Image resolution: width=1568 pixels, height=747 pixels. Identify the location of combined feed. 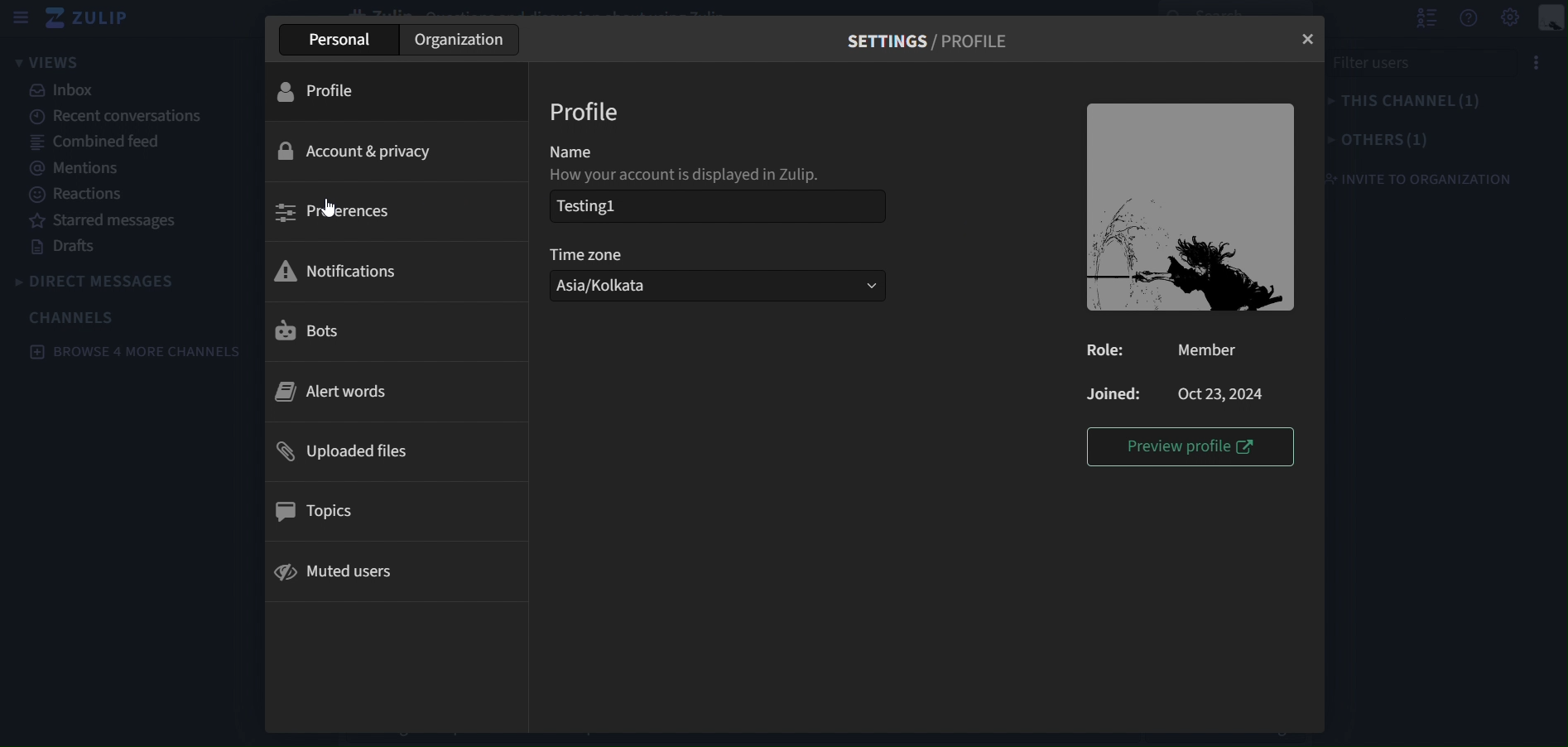
(96, 144).